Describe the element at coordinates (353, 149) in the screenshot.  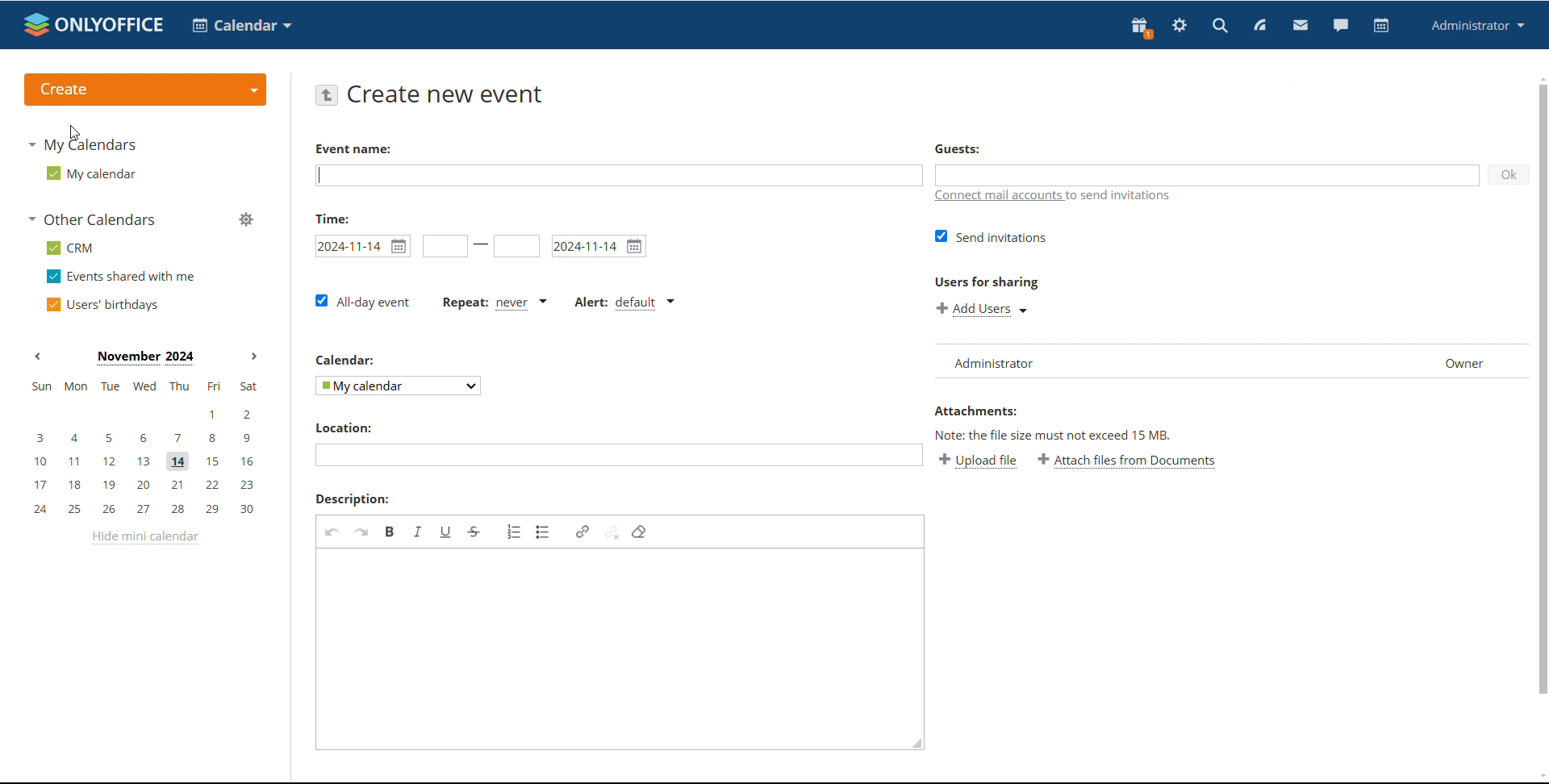
I see `Event name` at that location.